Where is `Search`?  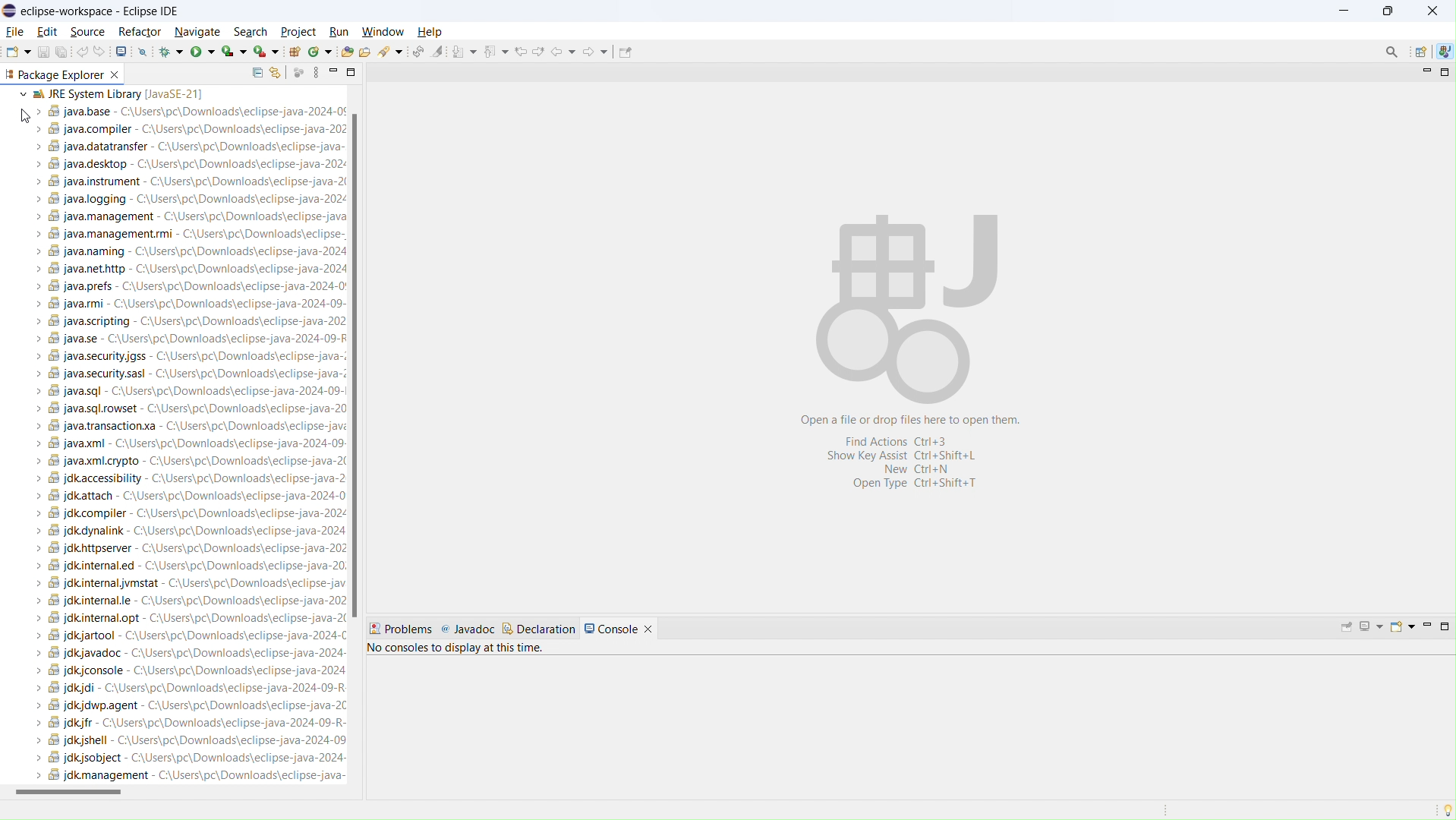 Search is located at coordinates (392, 52).